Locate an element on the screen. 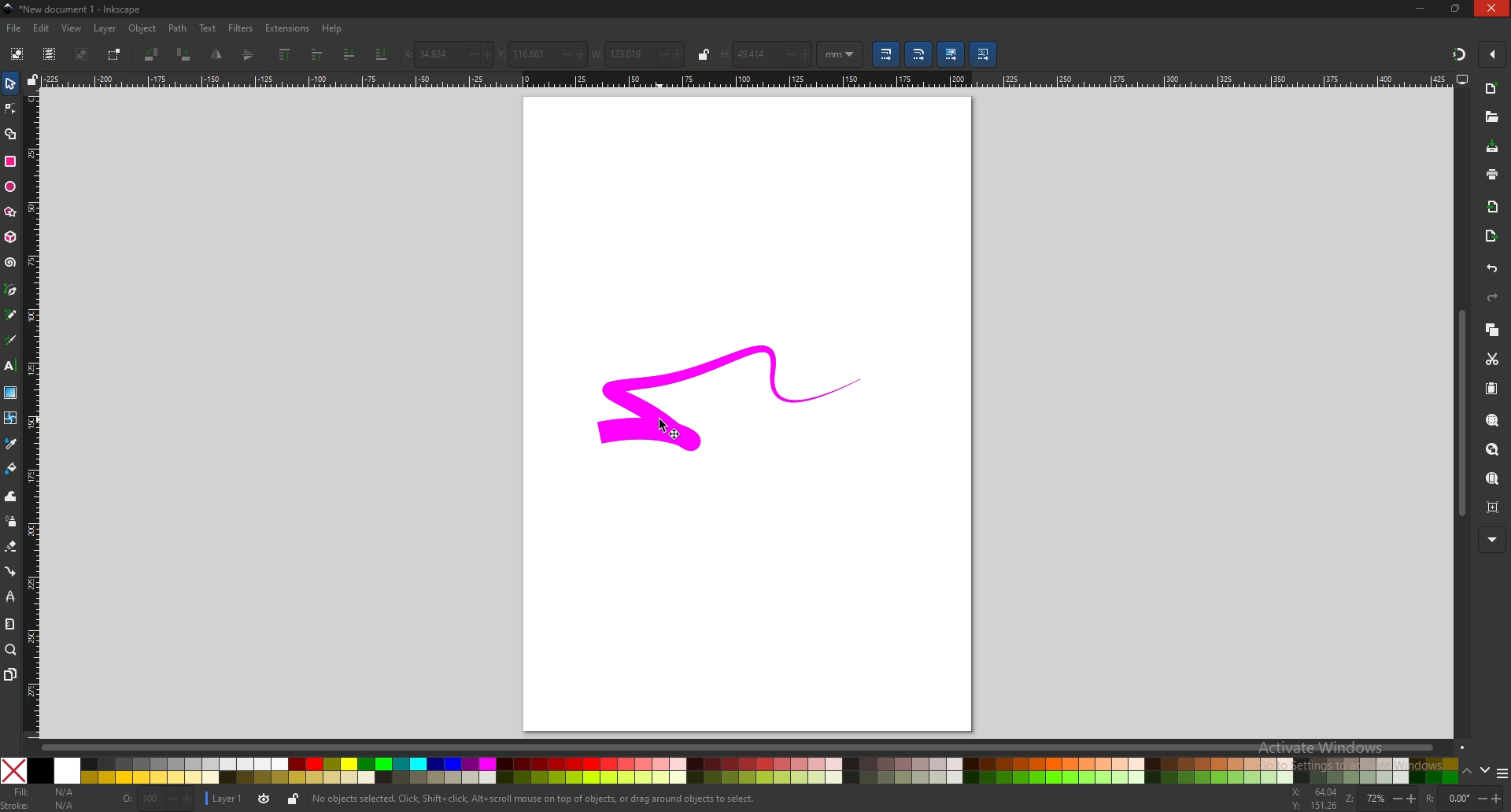 The height and width of the screenshot is (812, 1511). lower one step is located at coordinates (350, 54).